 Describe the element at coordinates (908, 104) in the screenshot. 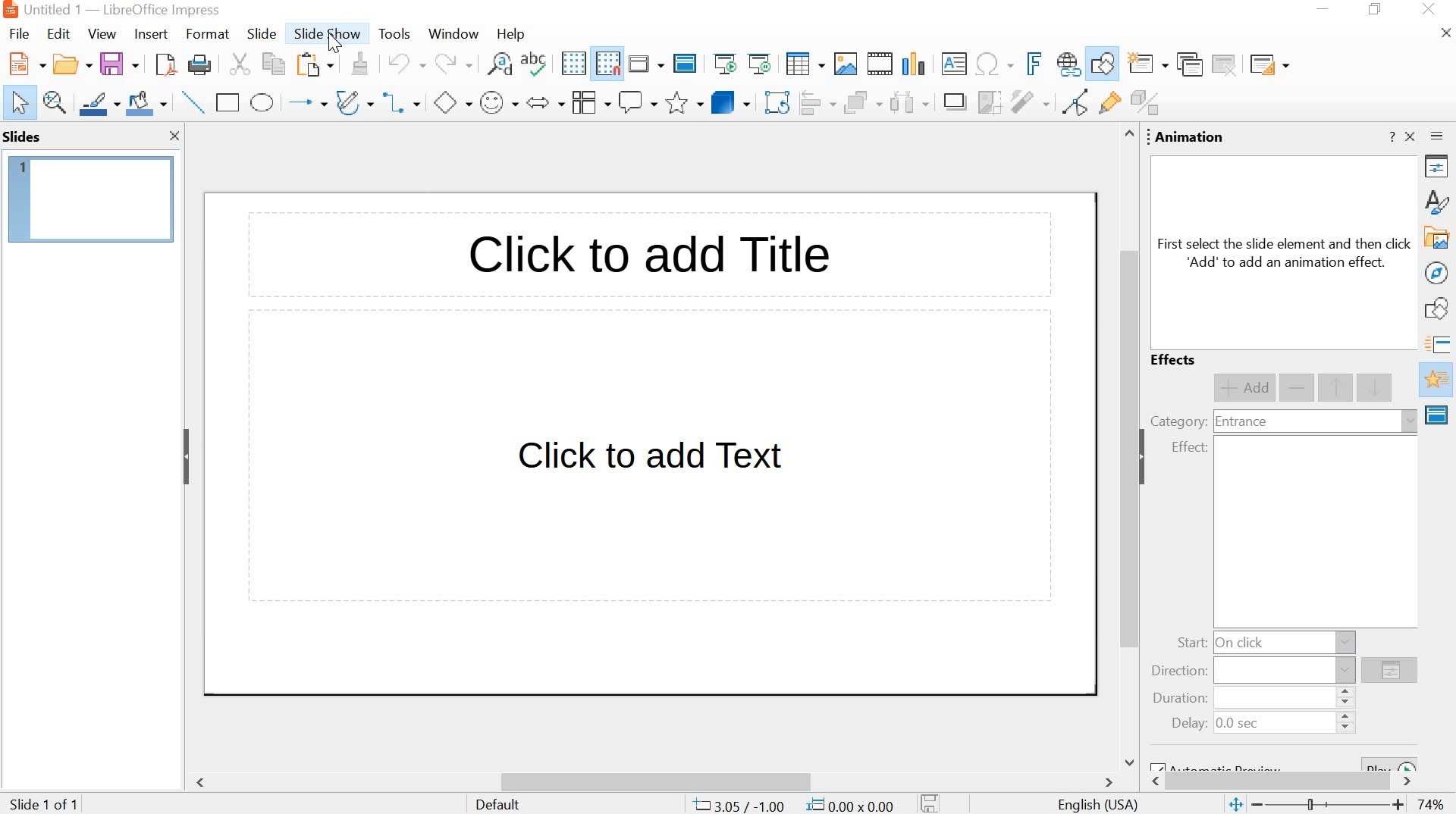

I see `select at least three objects to distribute` at that location.